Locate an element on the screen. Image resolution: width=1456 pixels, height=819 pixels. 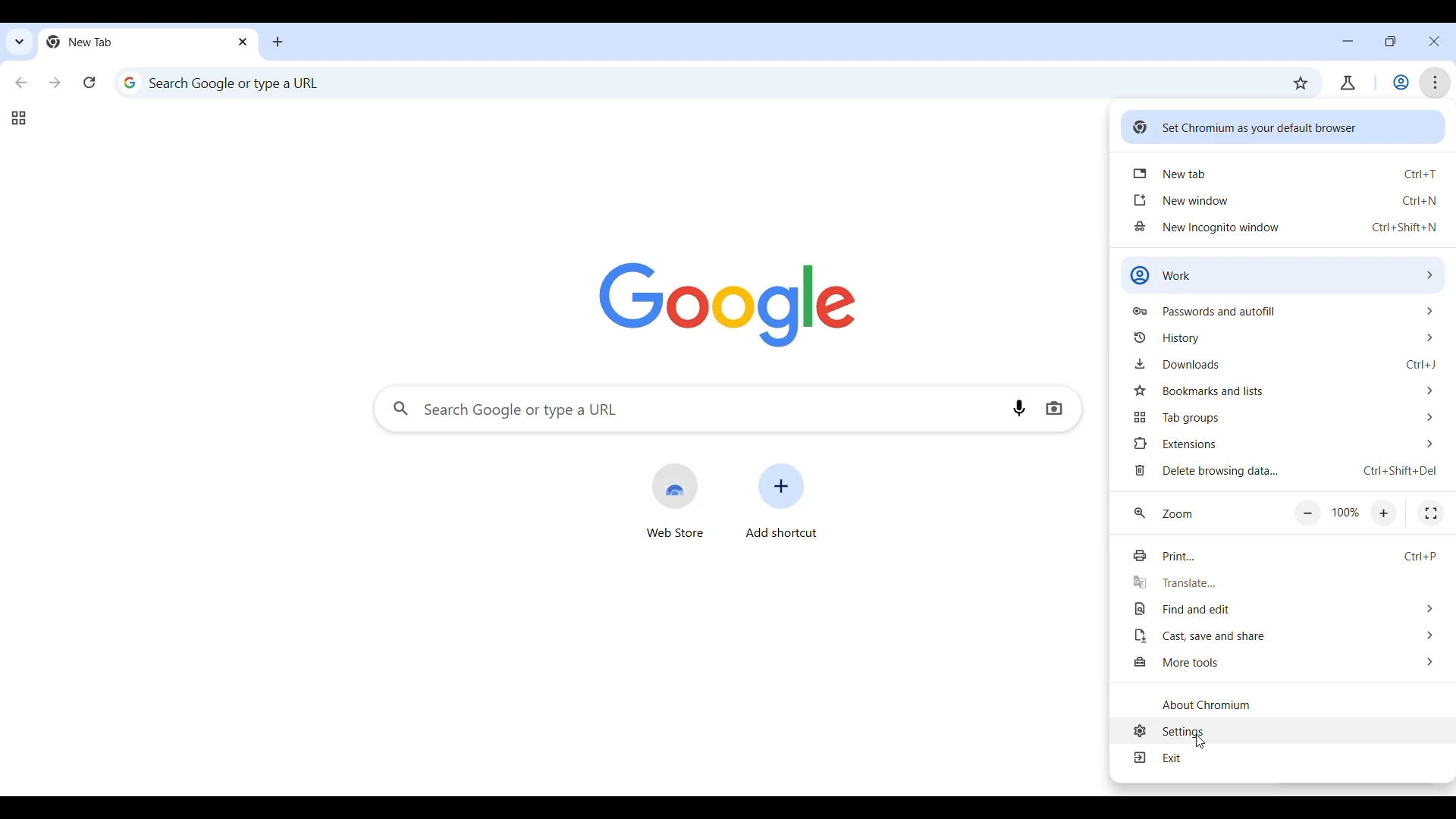
Translate is located at coordinates (1286, 583).